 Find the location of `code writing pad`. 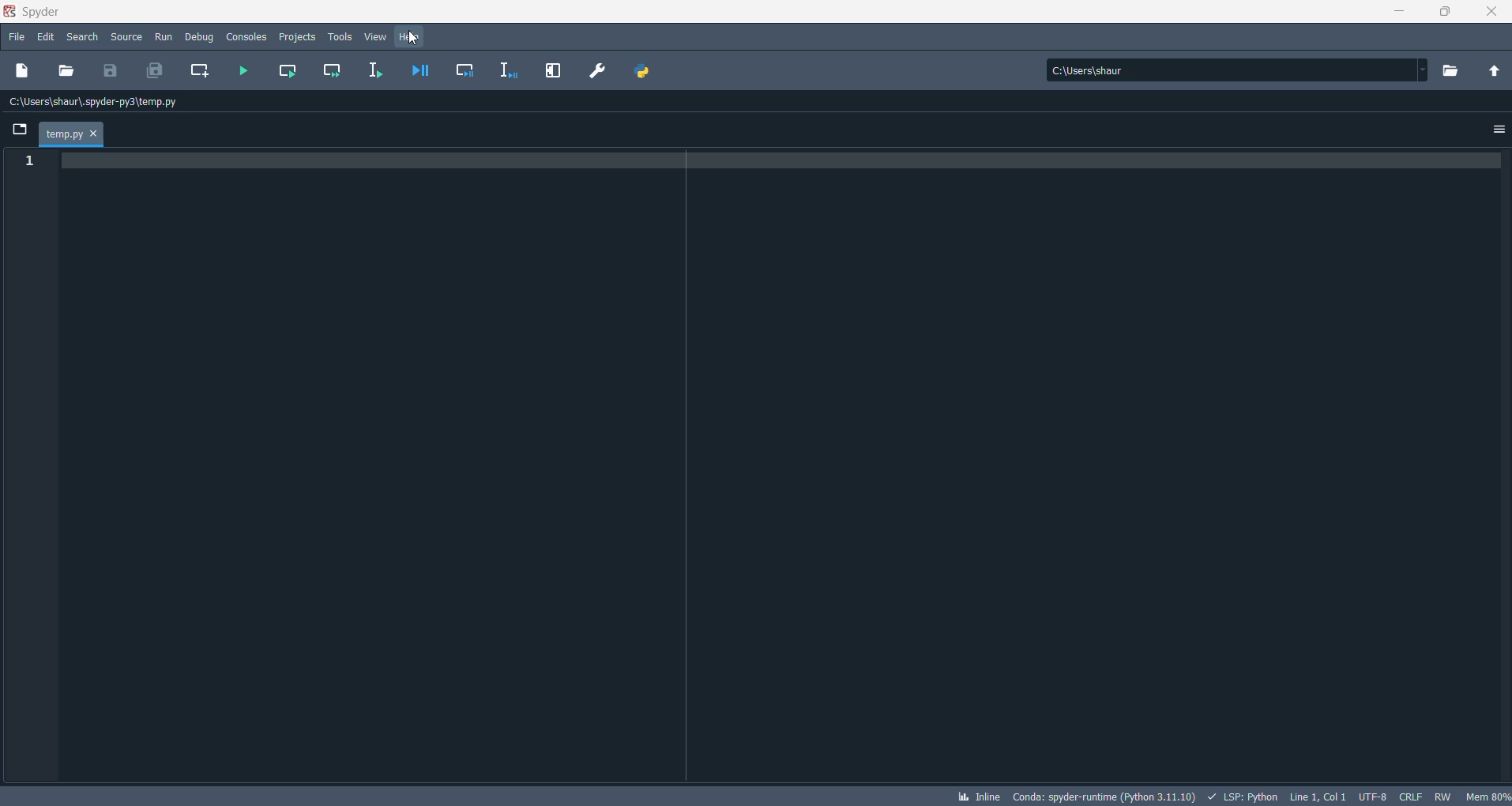

code writing pad is located at coordinates (785, 464).